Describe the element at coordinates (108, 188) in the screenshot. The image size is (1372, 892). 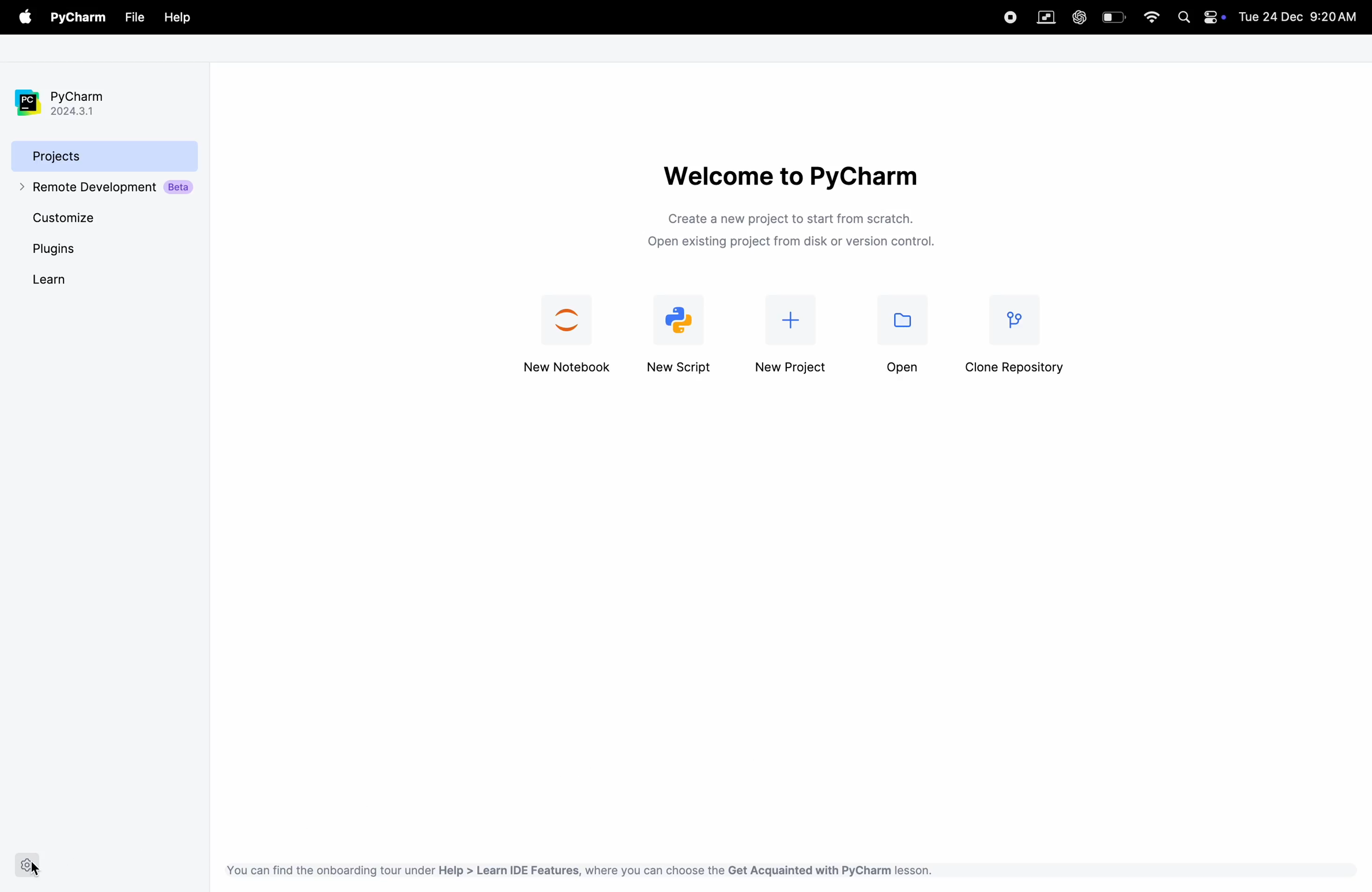
I see `remote developement` at that location.